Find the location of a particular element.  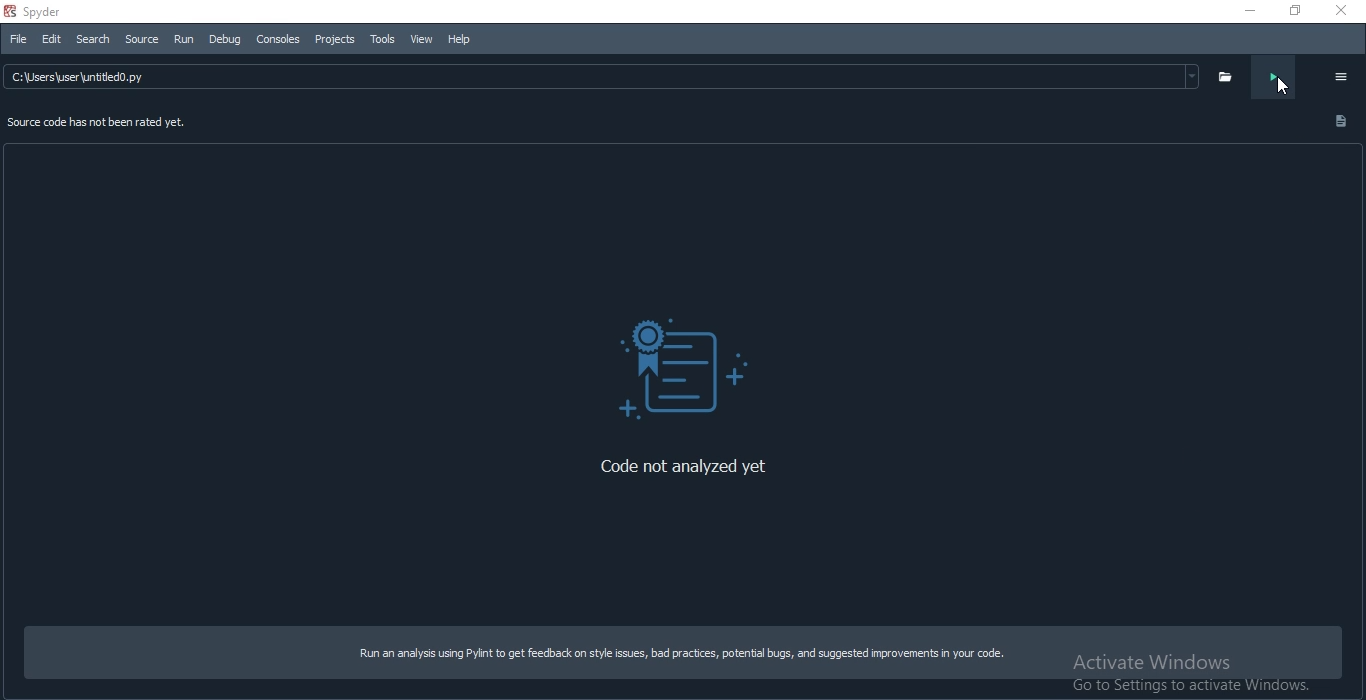

Edit is located at coordinates (50, 40).